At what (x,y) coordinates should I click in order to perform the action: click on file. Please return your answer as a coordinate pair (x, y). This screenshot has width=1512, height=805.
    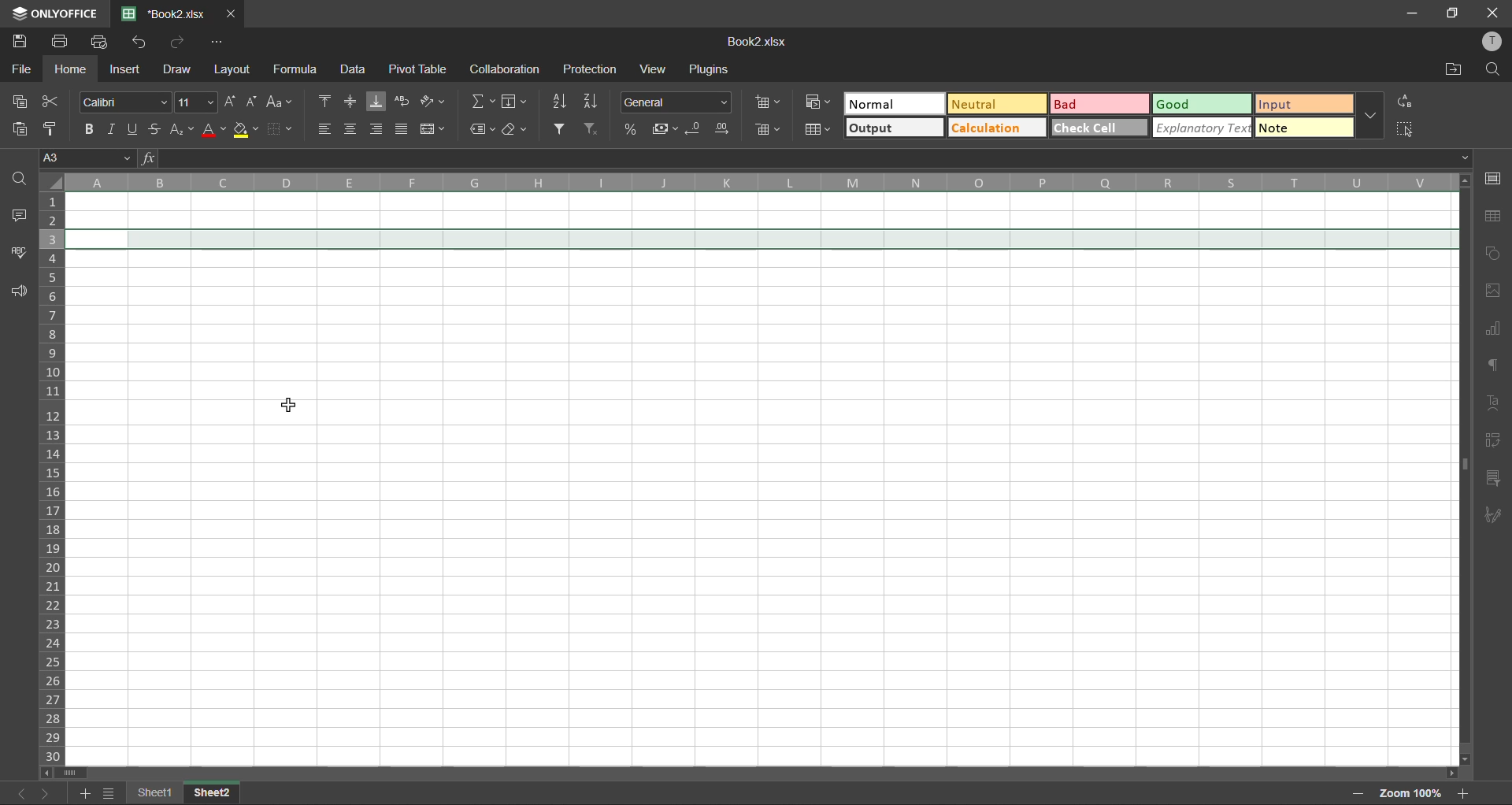
    Looking at the image, I should click on (23, 69).